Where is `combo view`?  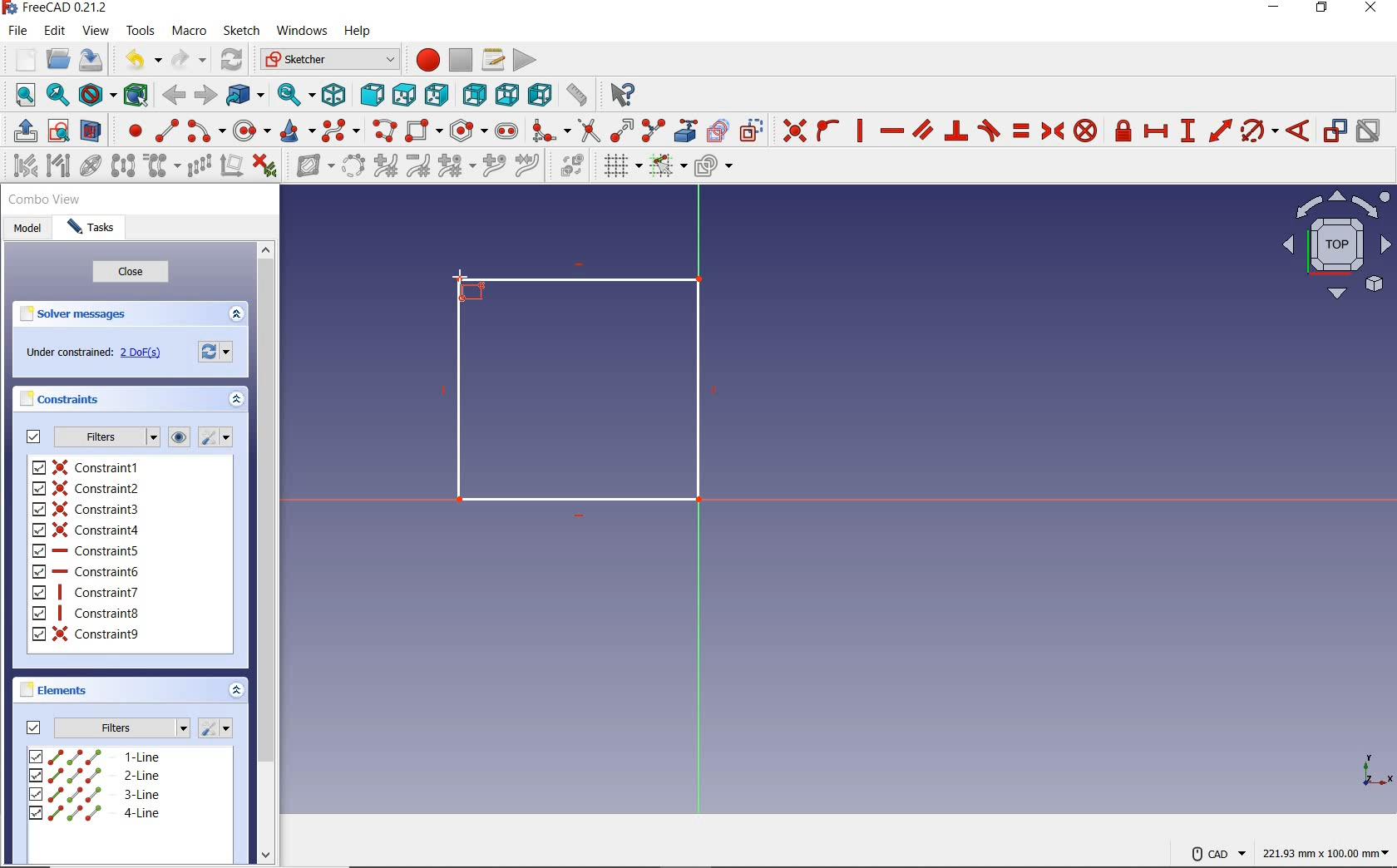
combo view is located at coordinates (45, 202).